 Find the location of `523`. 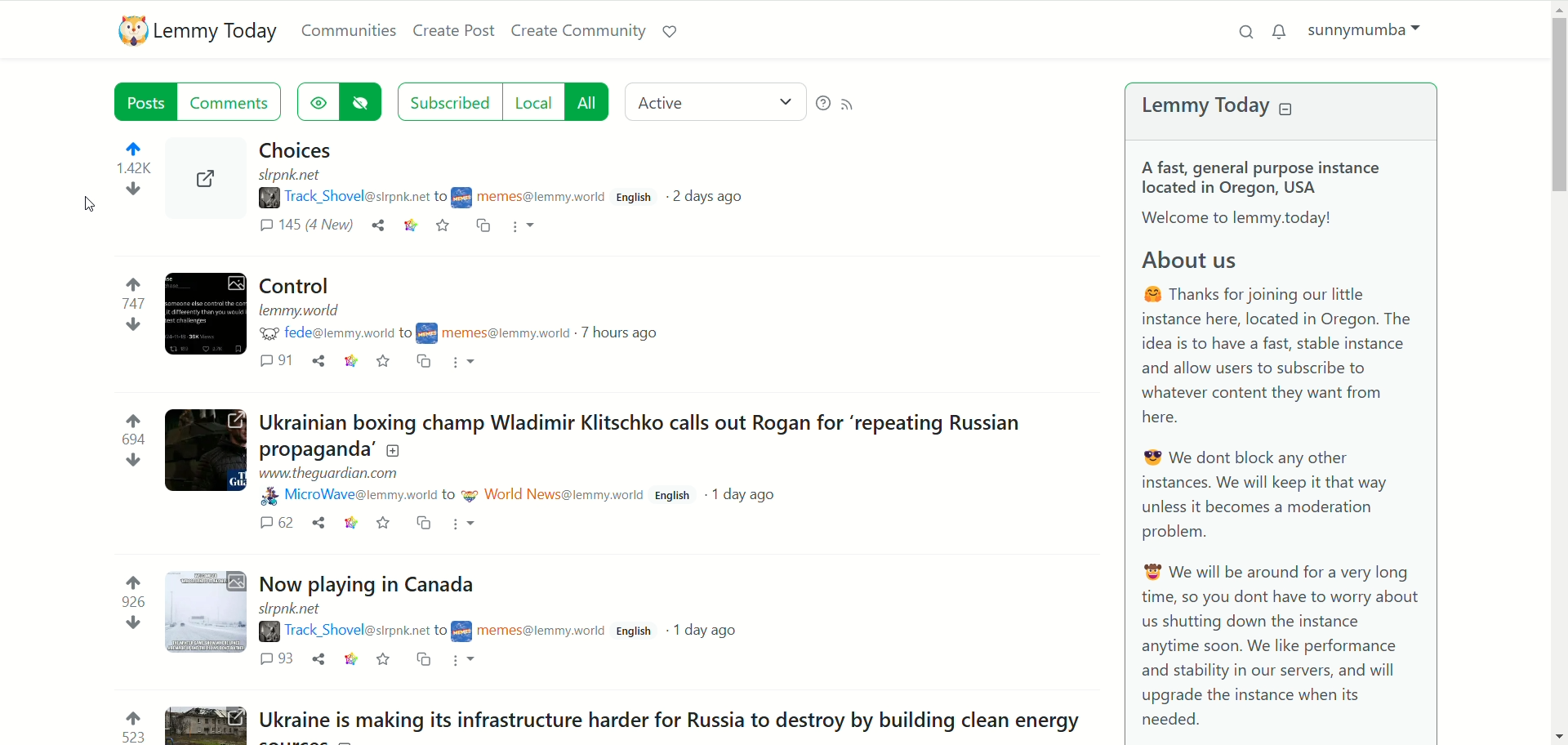

523 is located at coordinates (134, 738).